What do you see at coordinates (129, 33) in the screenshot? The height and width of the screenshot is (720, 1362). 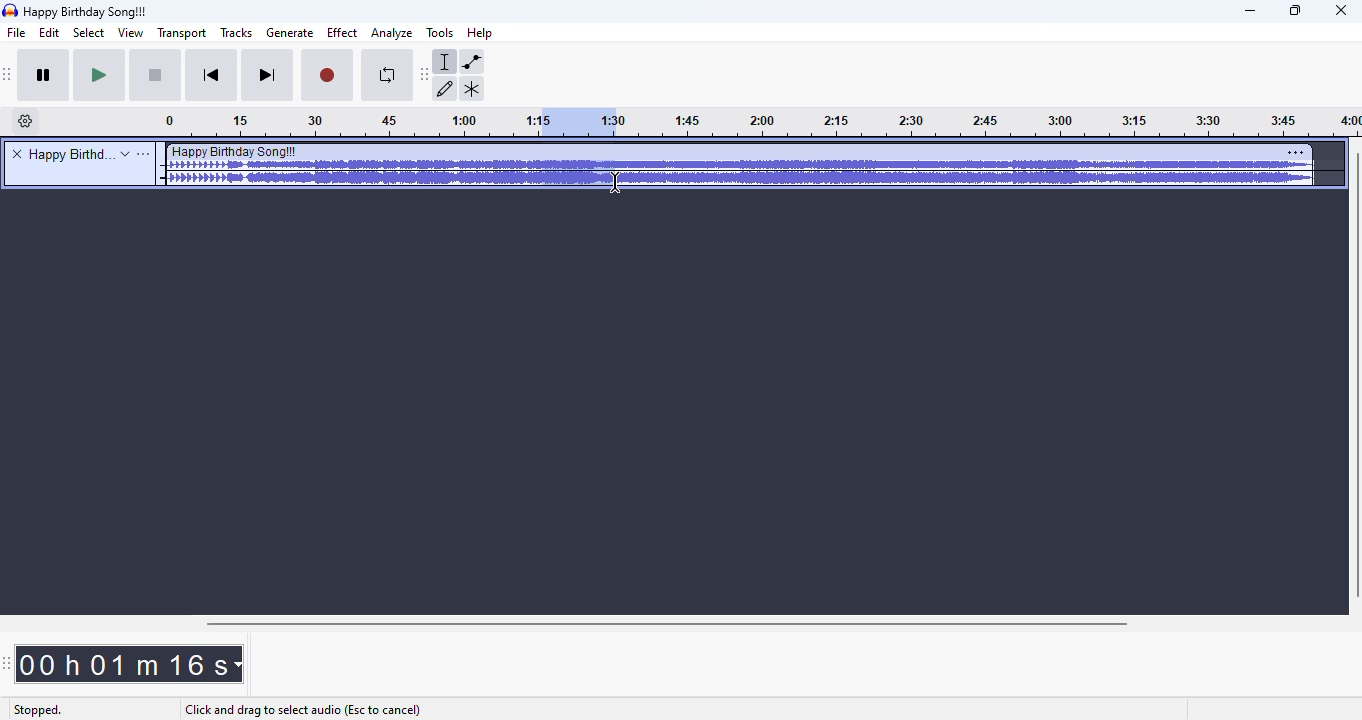 I see `view` at bounding box center [129, 33].